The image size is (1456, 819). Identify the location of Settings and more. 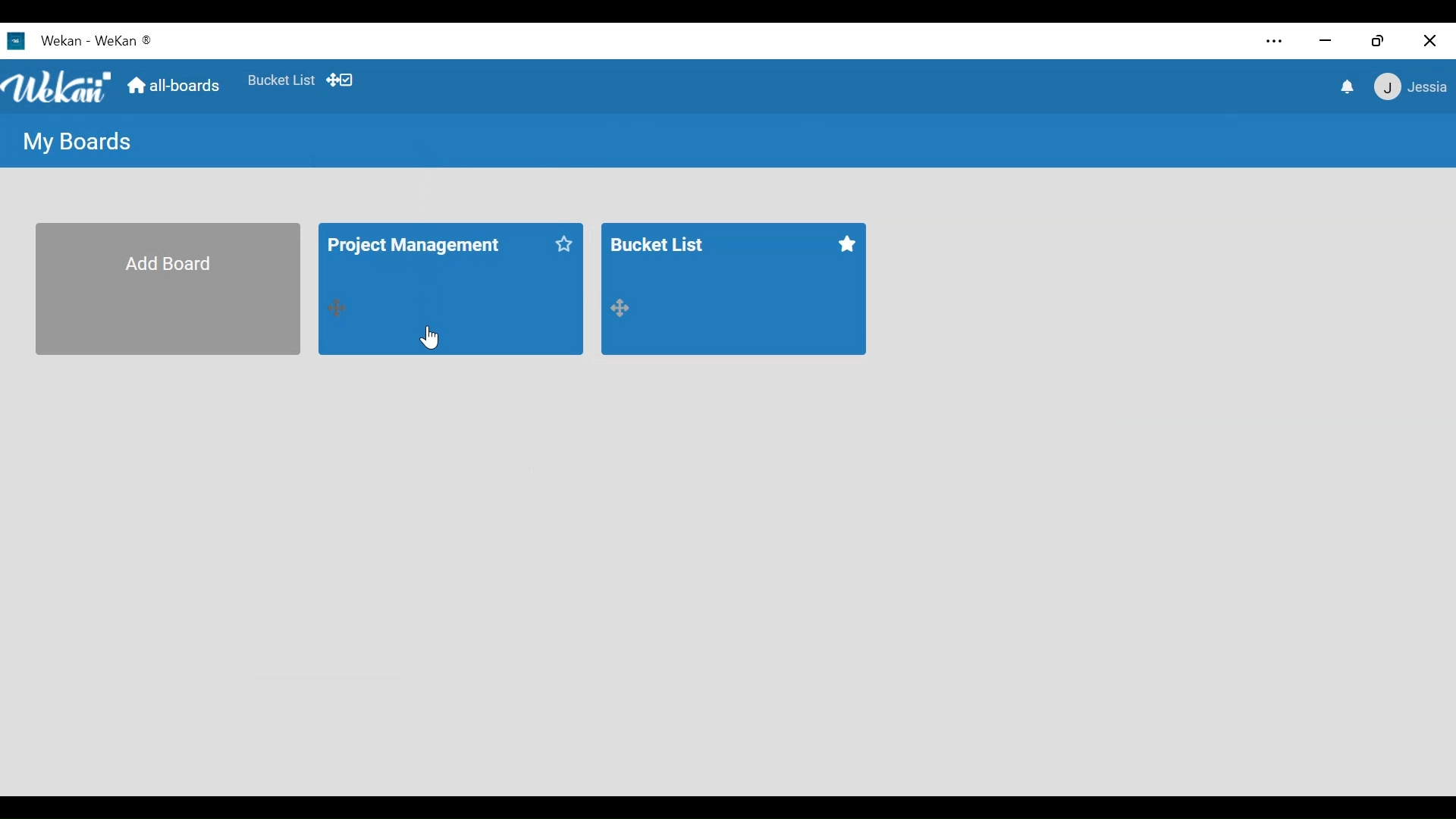
(1276, 42).